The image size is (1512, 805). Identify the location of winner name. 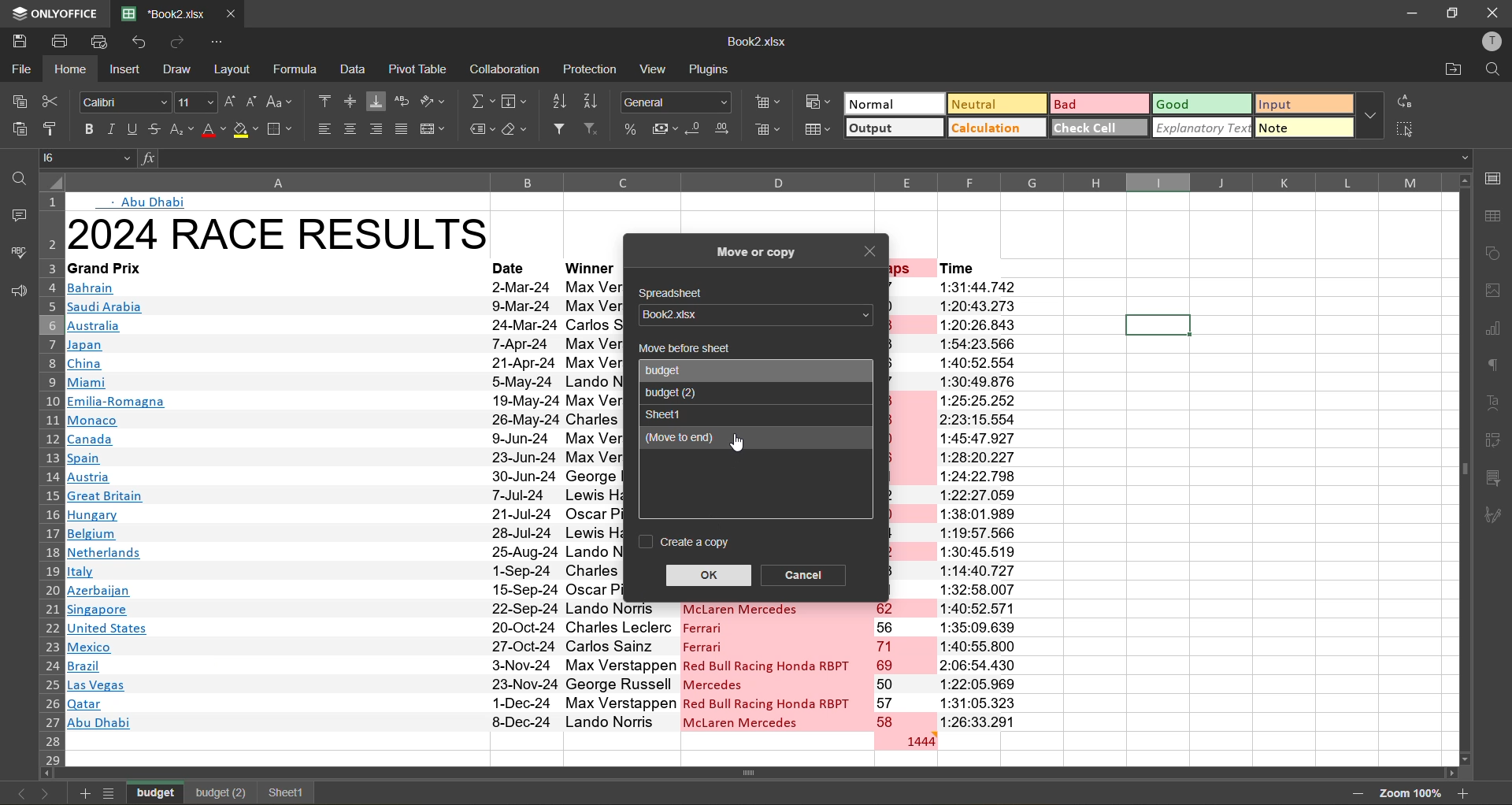
(592, 504).